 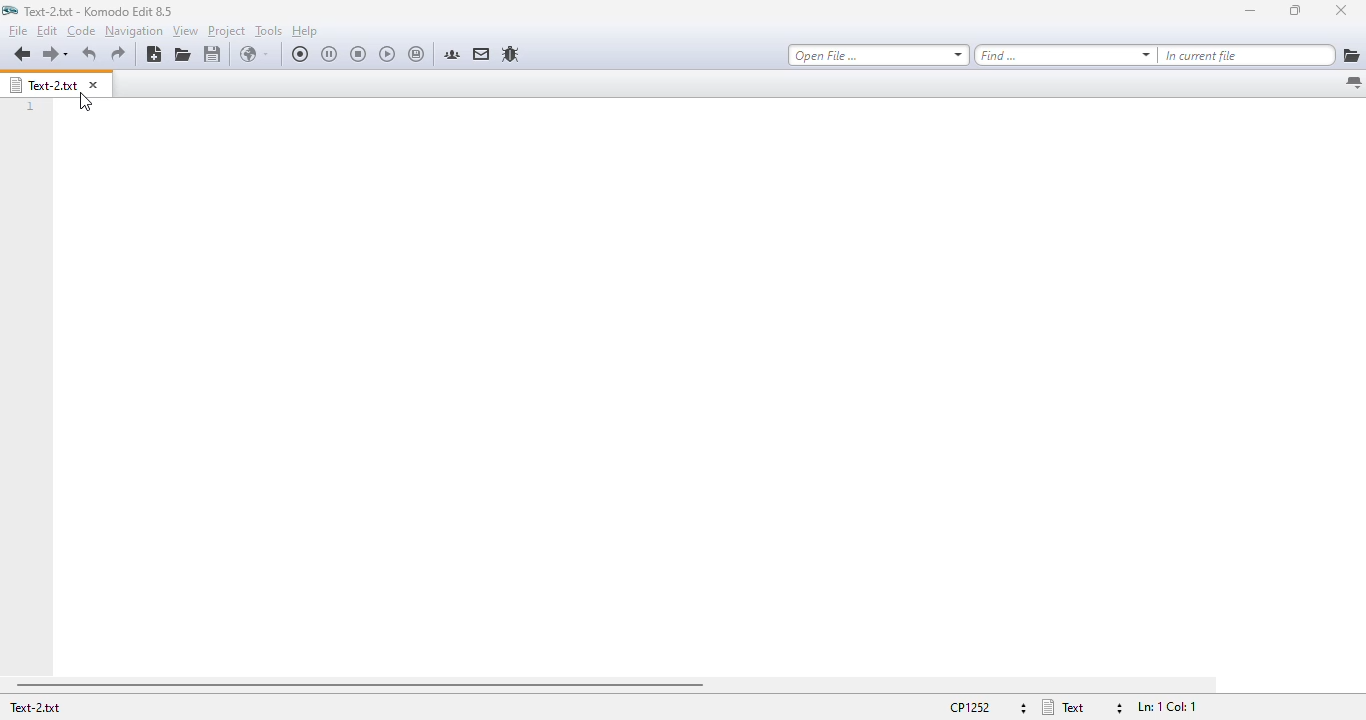 I want to click on new file using default language, so click(x=155, y=55).